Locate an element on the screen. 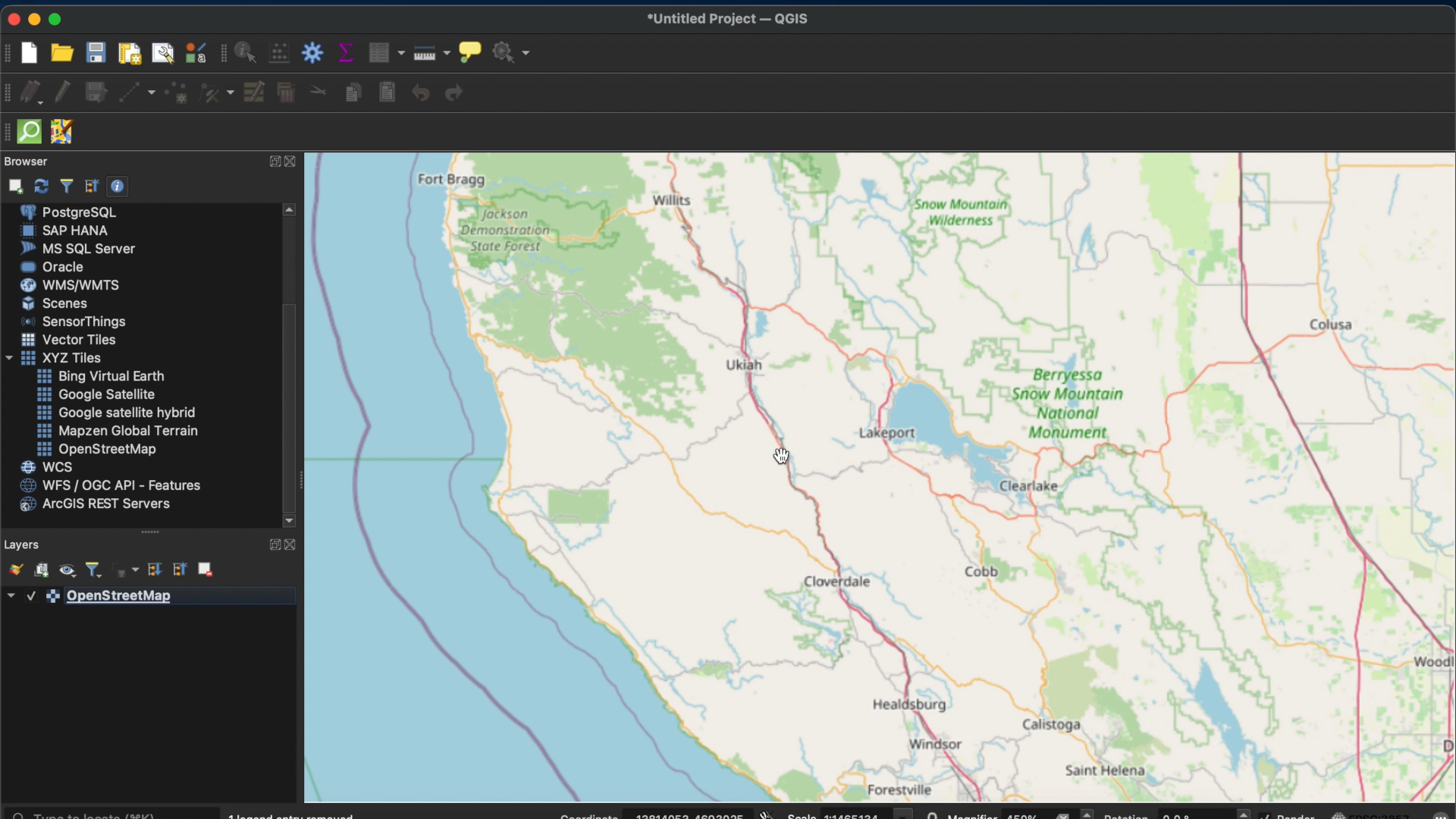 Image resolution: width=1456 pixels, height=819 pixels. showlayout manager is located at coordinates (163, 54).